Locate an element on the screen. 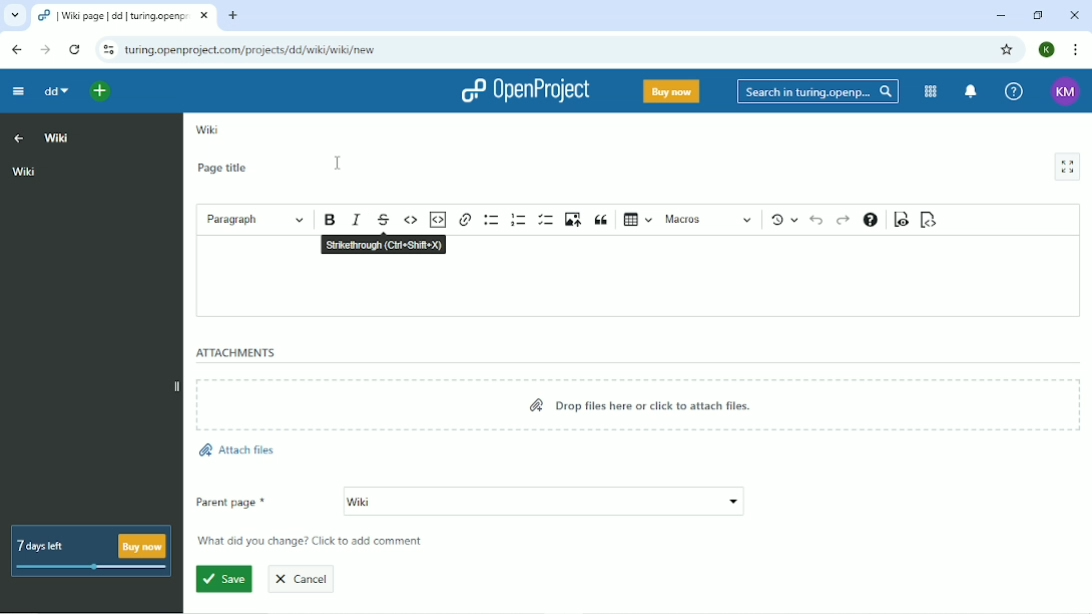 This screenshot has width=1092, height=614. Wiki is located at coordinates (57, 136).